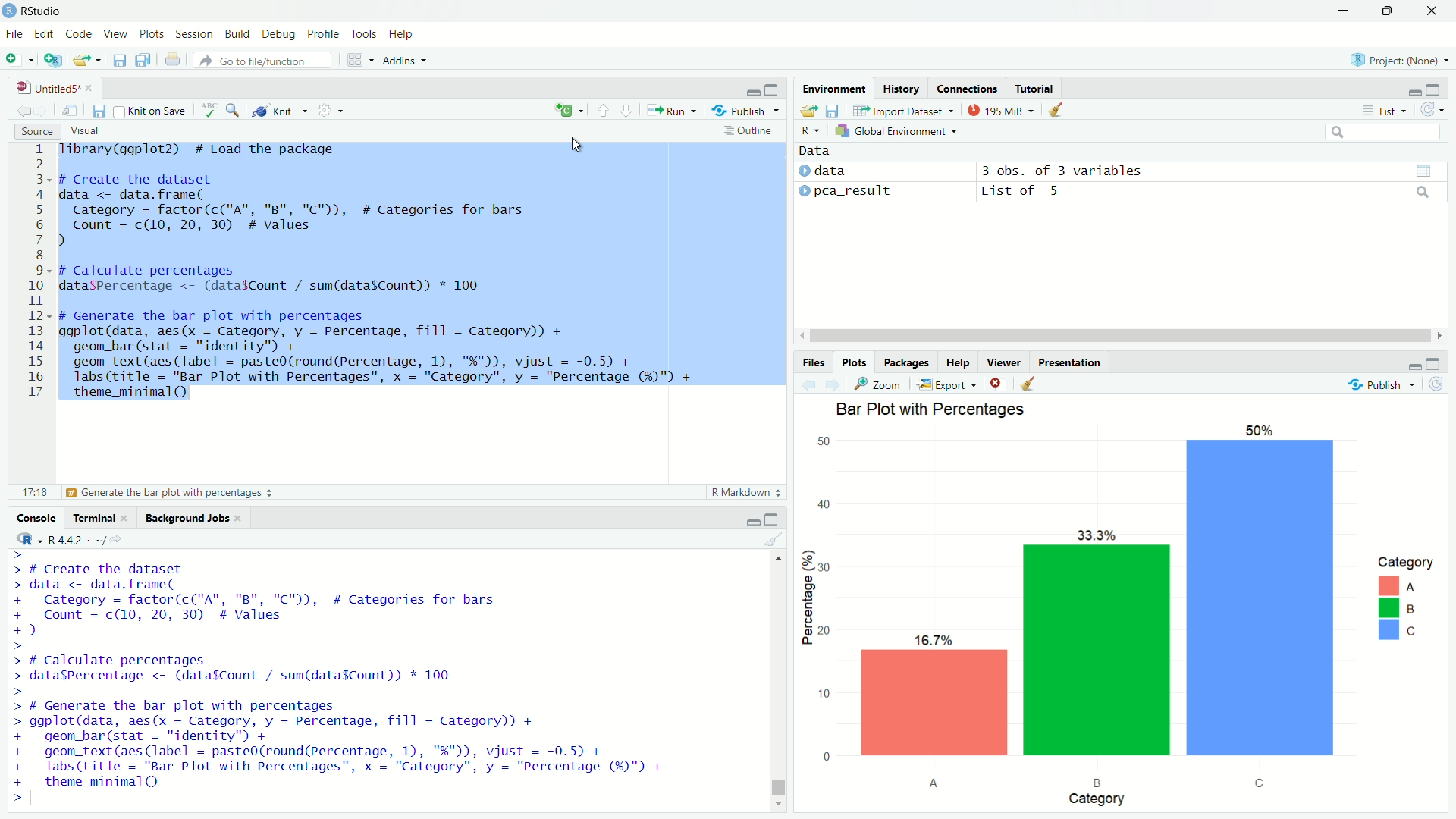 The height and width of the screenshot is (819, 1456). Describe the element at coordinates (10, 11) in the screenshot. I see `logo` at that location.